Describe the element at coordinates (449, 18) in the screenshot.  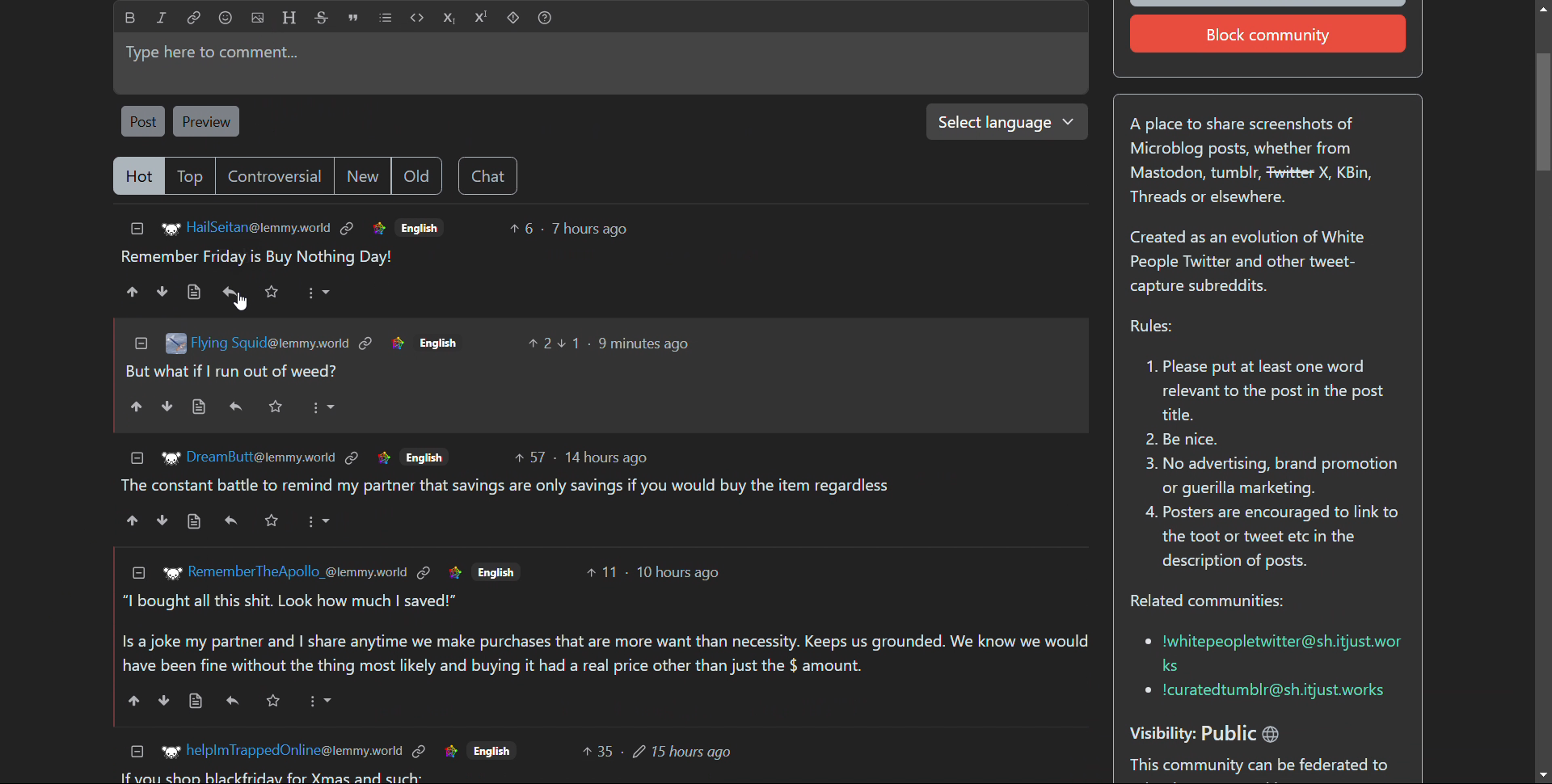
I see `subscript` at that location.